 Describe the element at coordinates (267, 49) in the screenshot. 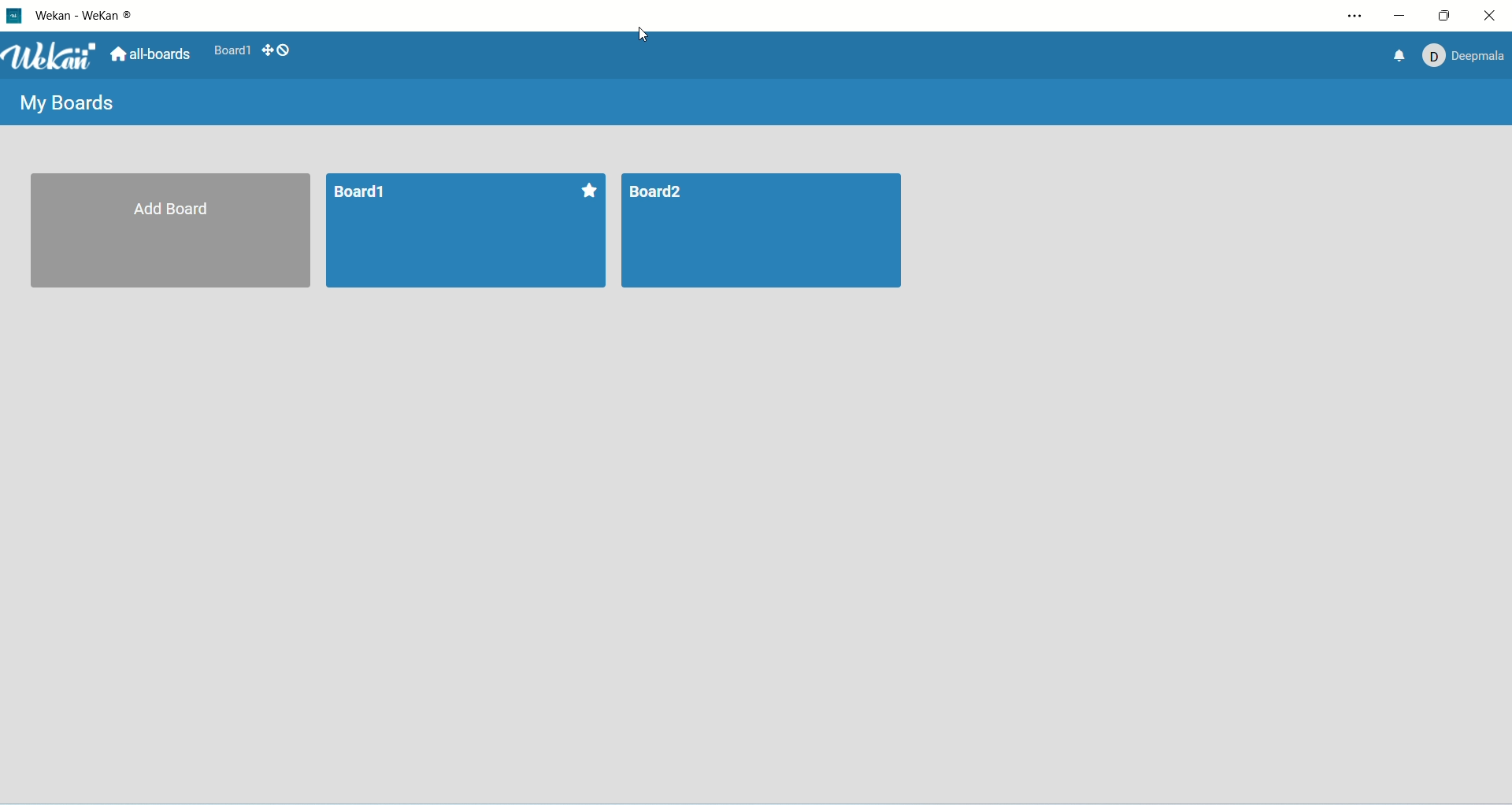

I see `show desktop drag handles` at that location.